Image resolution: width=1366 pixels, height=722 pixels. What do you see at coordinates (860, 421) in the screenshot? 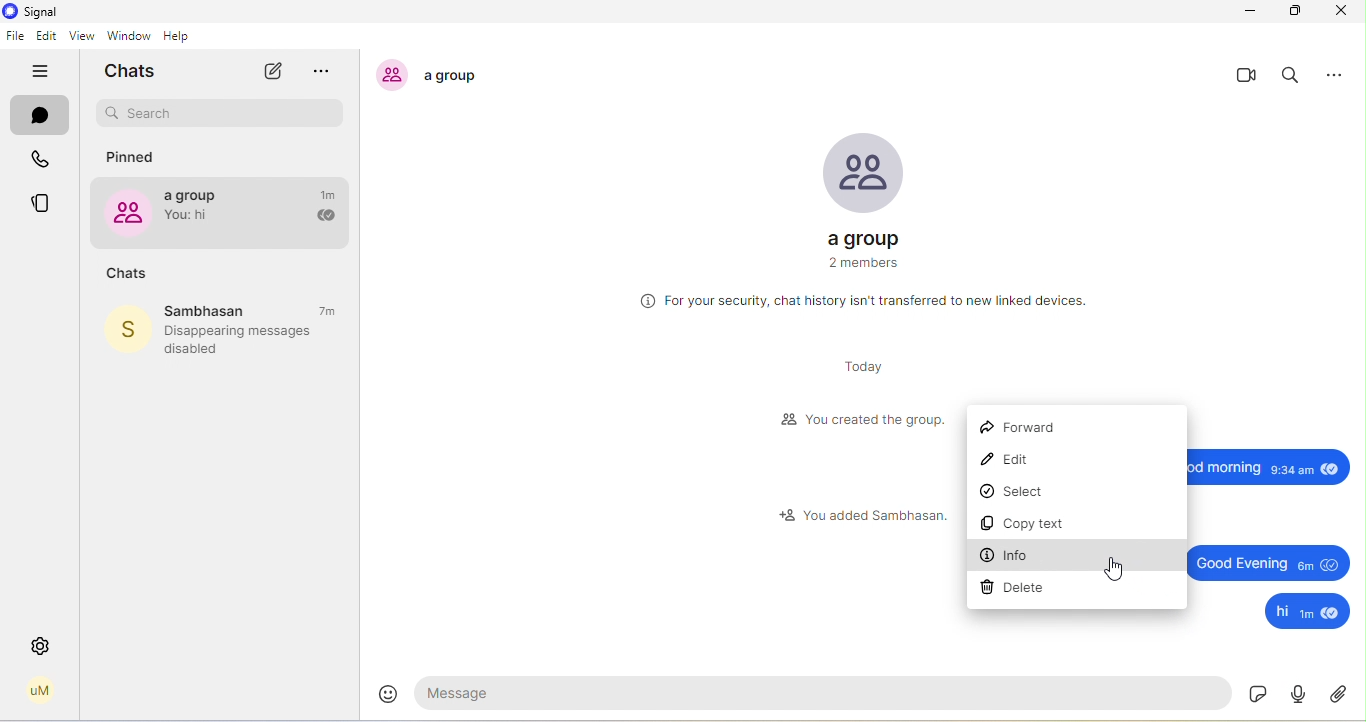
I see `you created the group` at bounding box center [860, 421].